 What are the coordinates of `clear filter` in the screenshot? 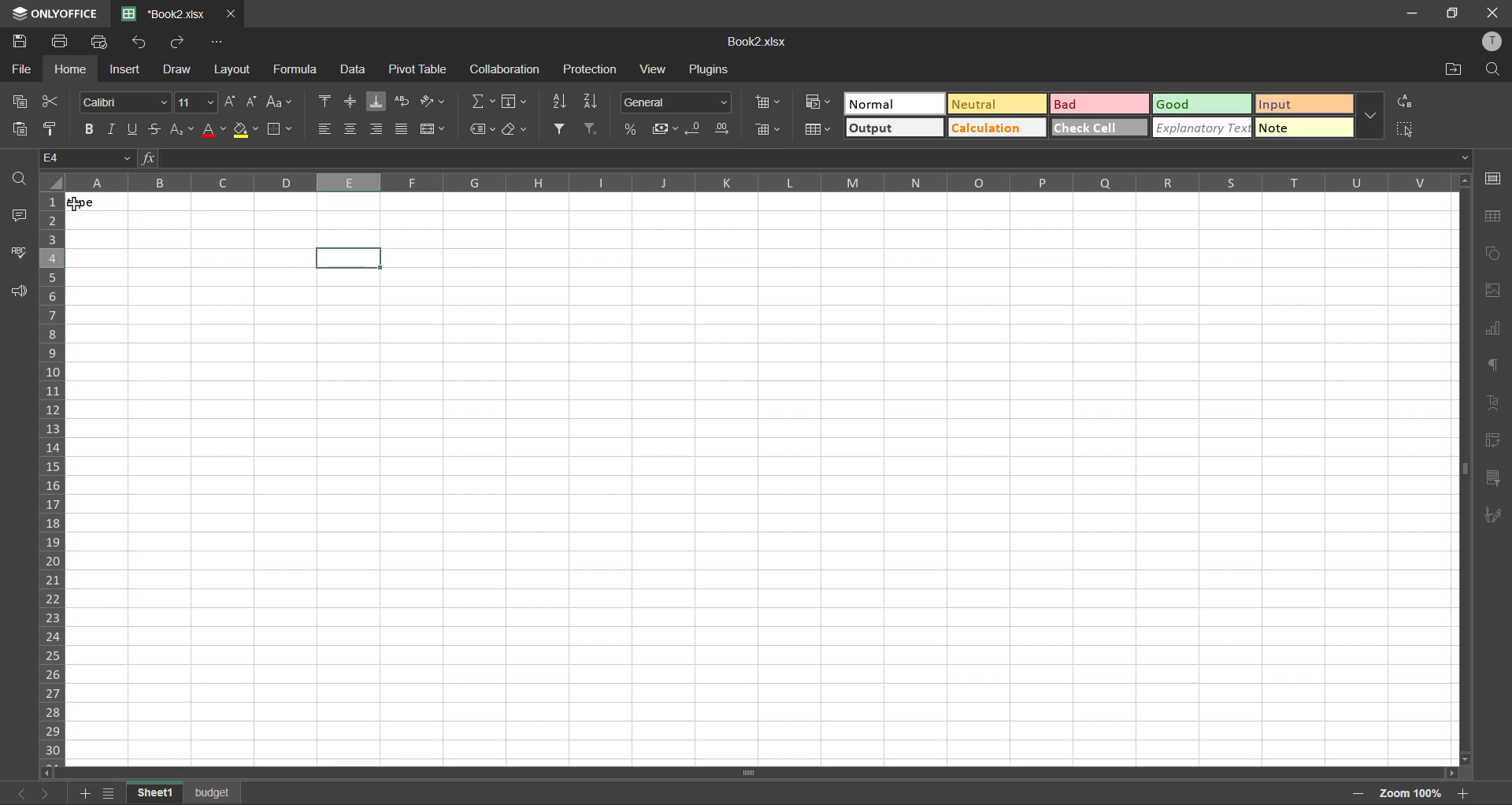 It's located at (590, 130).